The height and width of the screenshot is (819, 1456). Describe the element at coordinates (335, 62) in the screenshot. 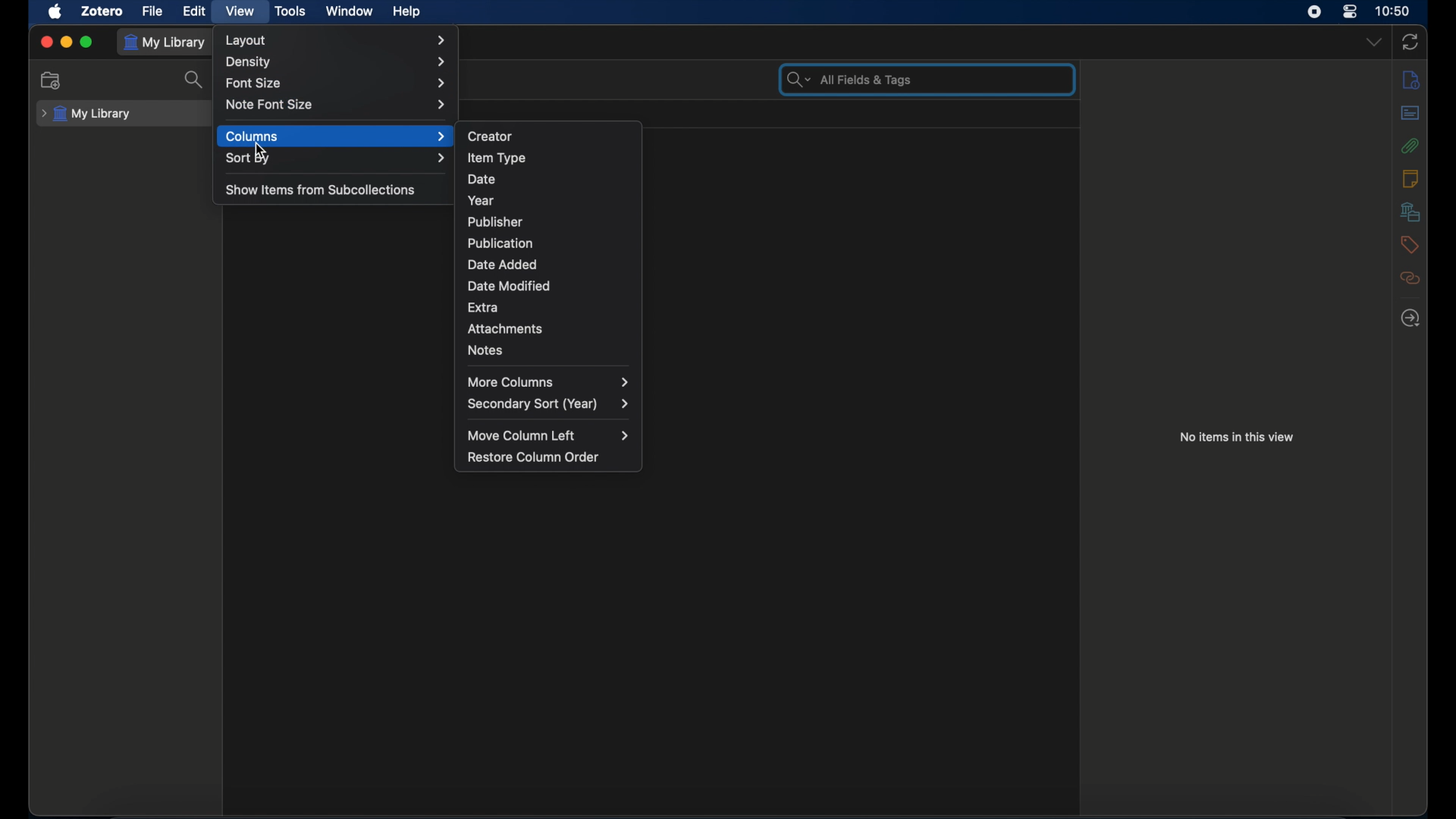

I see `density` at that location.